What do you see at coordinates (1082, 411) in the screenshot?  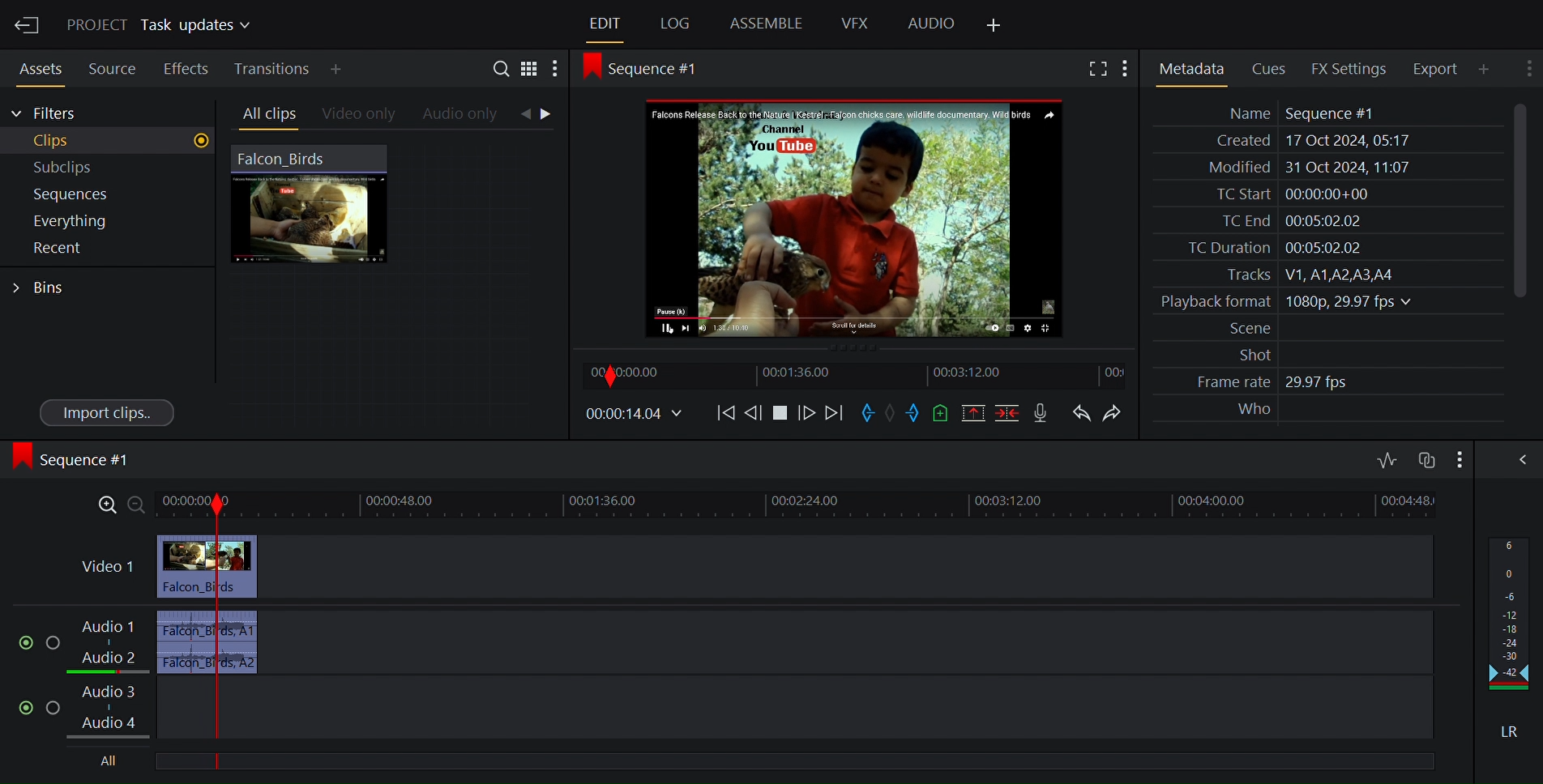 I see `Undo ` at bounding box center [1082, 411].